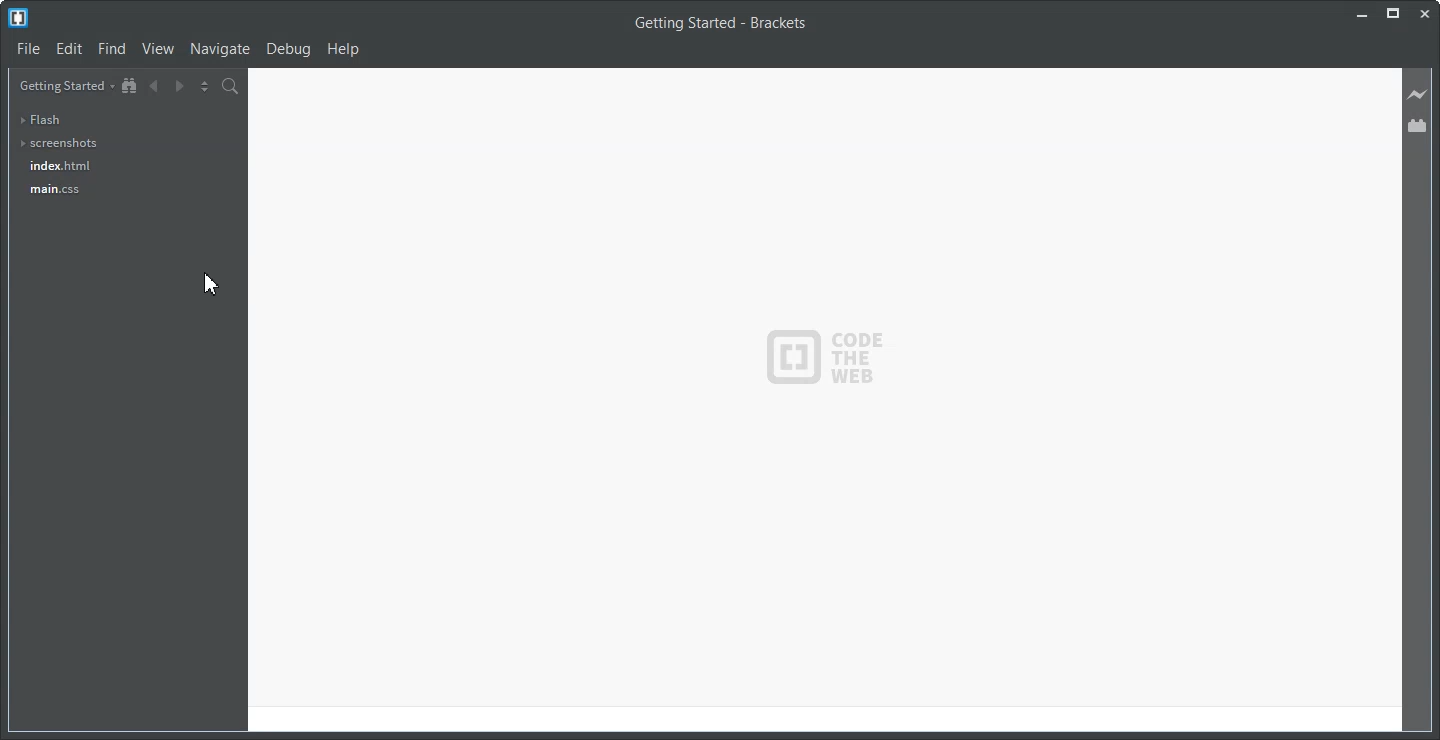 This screenshot has height=740, width=1440. What do you see at coordinates (824, 356) in the screenshot?
I see `Logo` at bounding box center [824, 356].